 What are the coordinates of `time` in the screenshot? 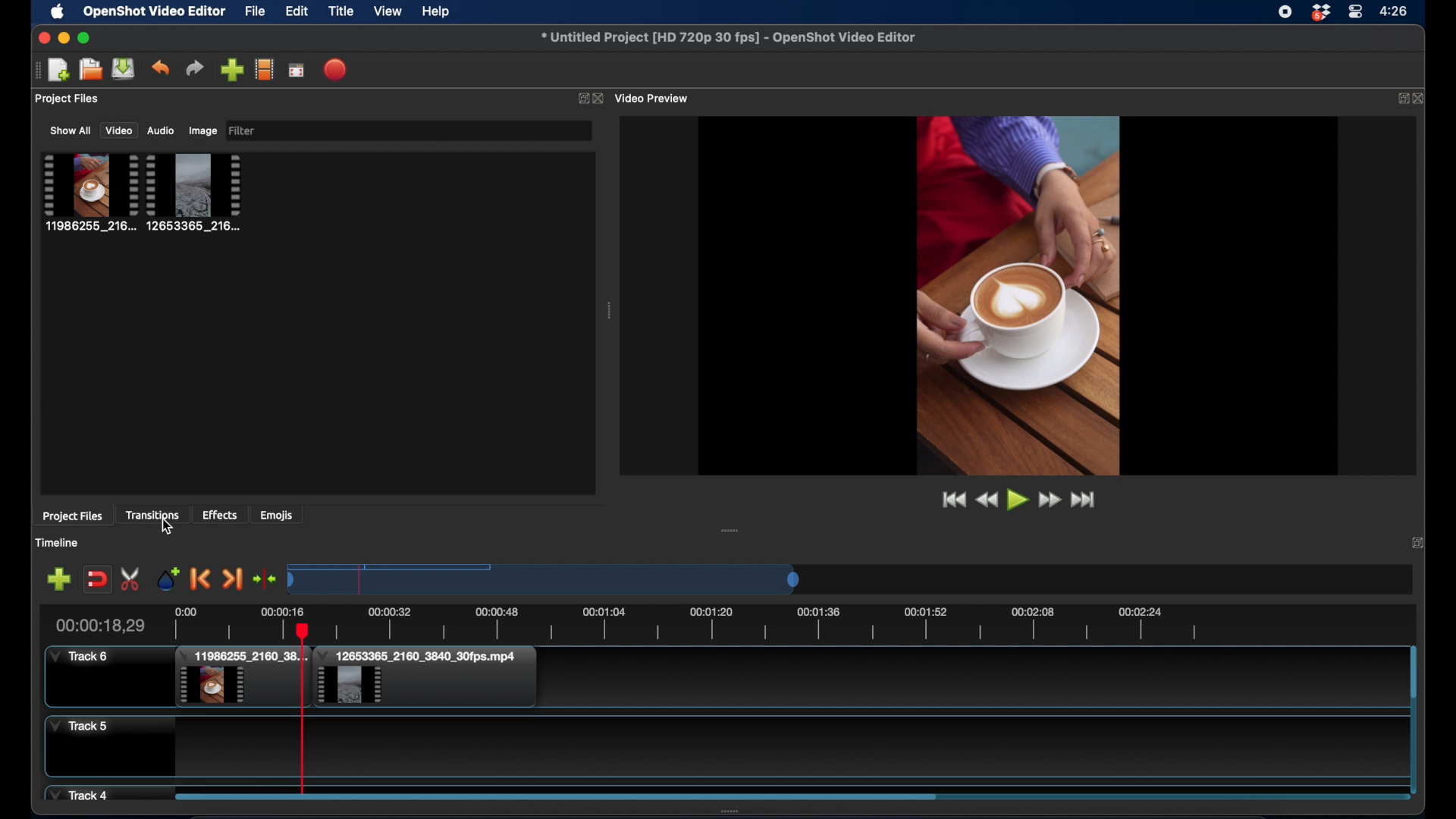 It's located at (1396, 10).